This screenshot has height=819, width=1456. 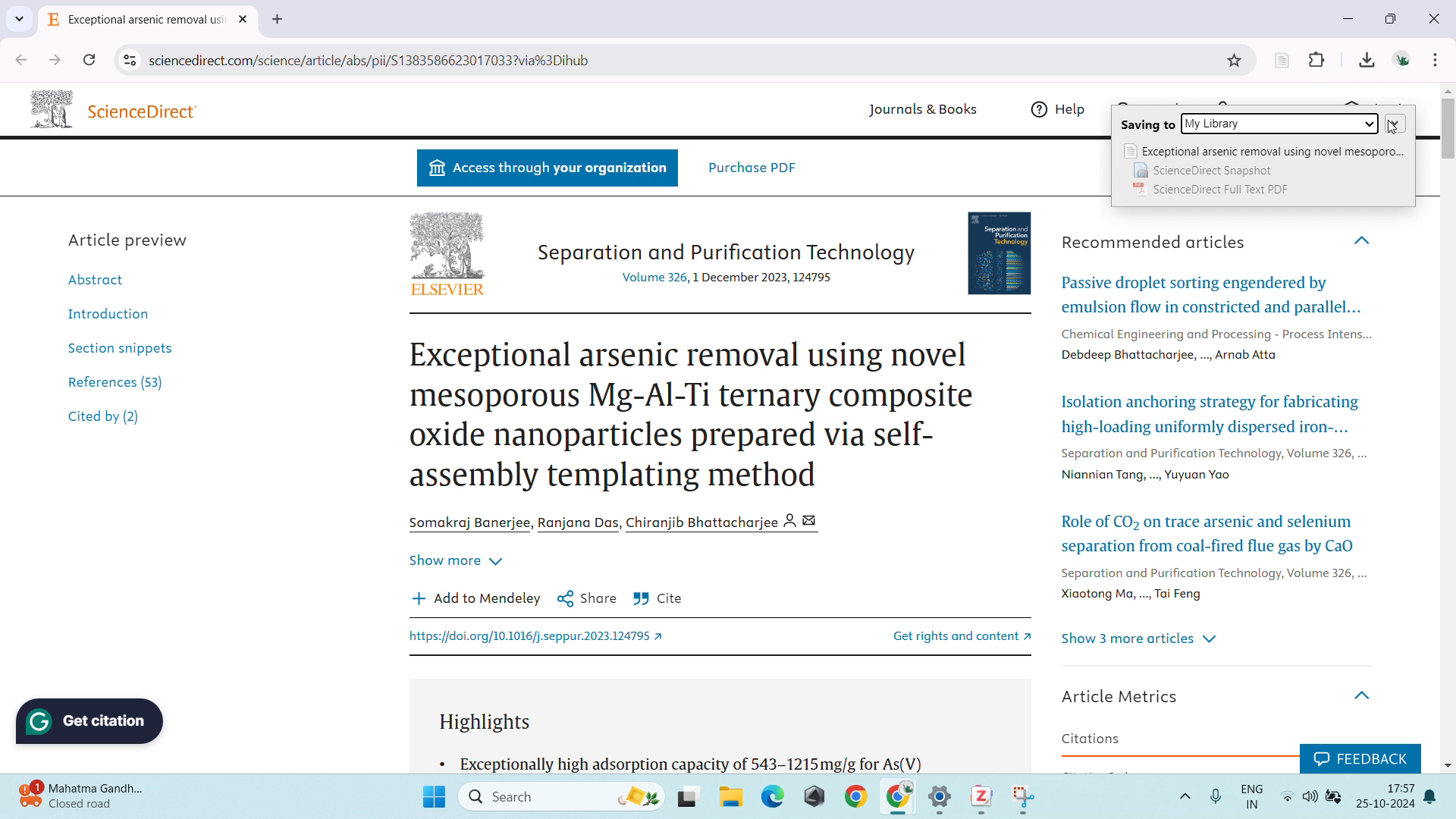 What do you see at coordinates (136, 22) in the screenshot?
I see `Exceptional arsenic removal ` at bounding box center [136, 22].